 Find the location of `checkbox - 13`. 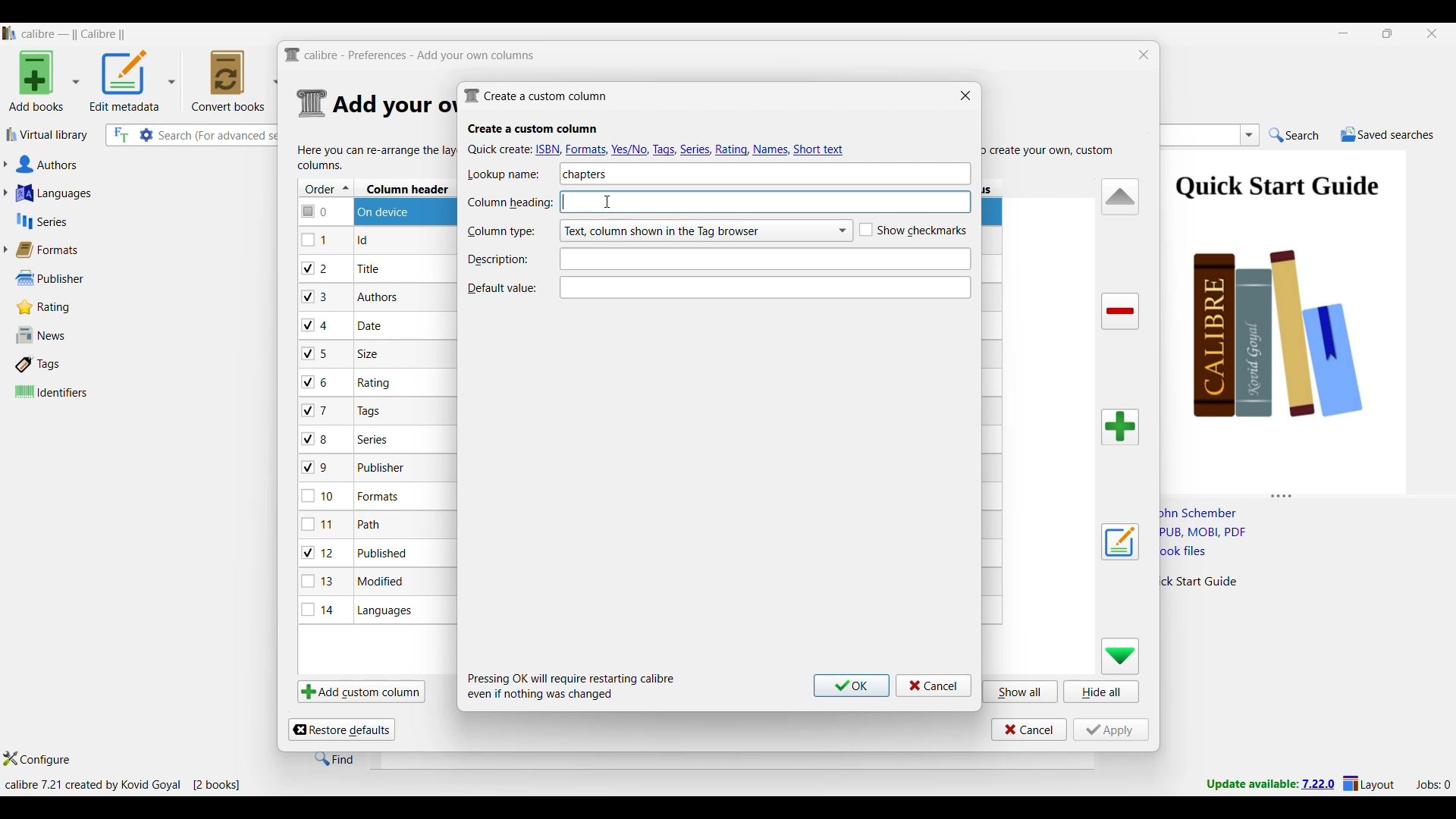

checkbox - 13 is located at coordinates (318, 581).